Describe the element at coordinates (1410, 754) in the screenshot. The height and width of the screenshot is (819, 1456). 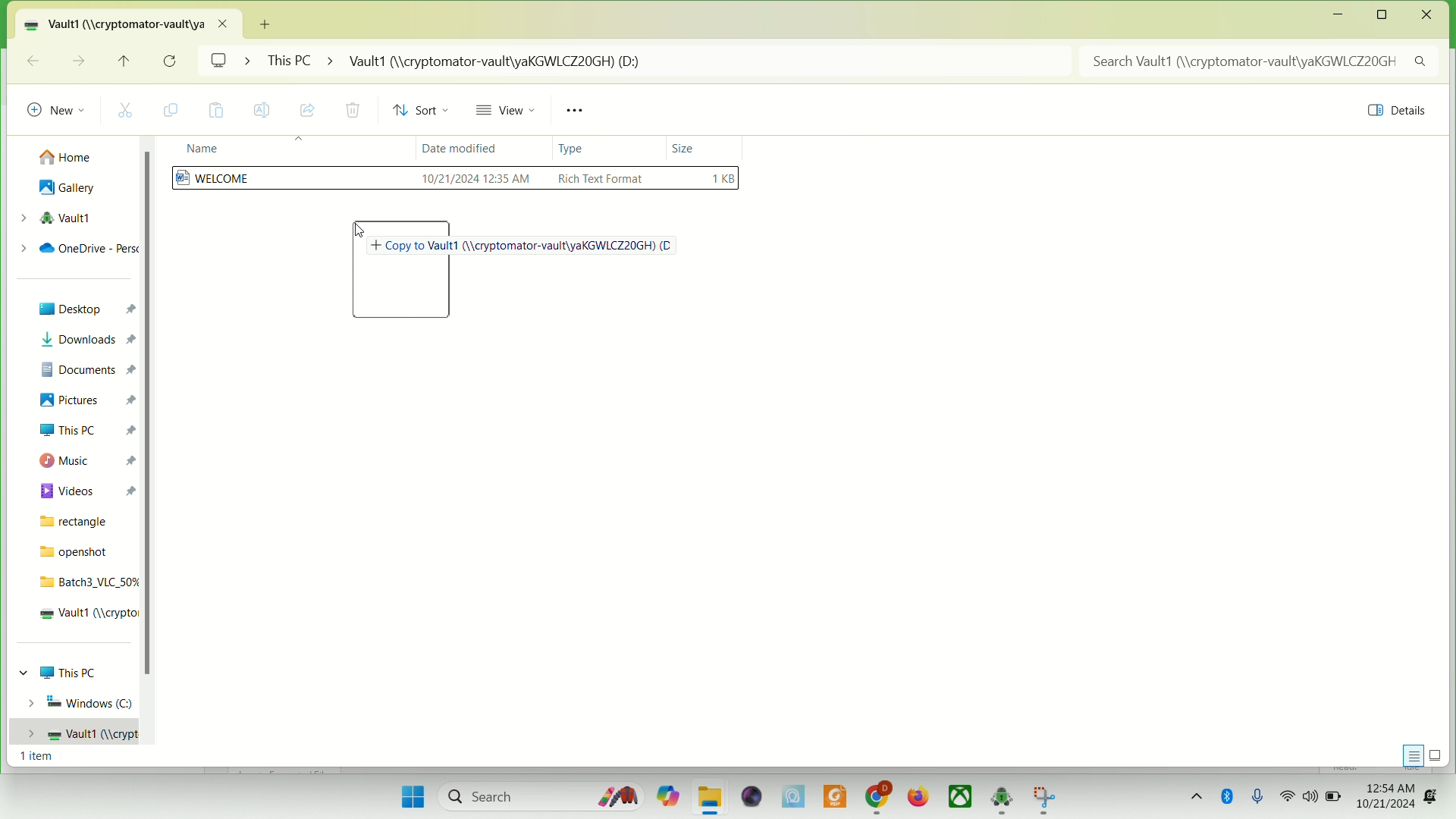
I see `display information` at that location.